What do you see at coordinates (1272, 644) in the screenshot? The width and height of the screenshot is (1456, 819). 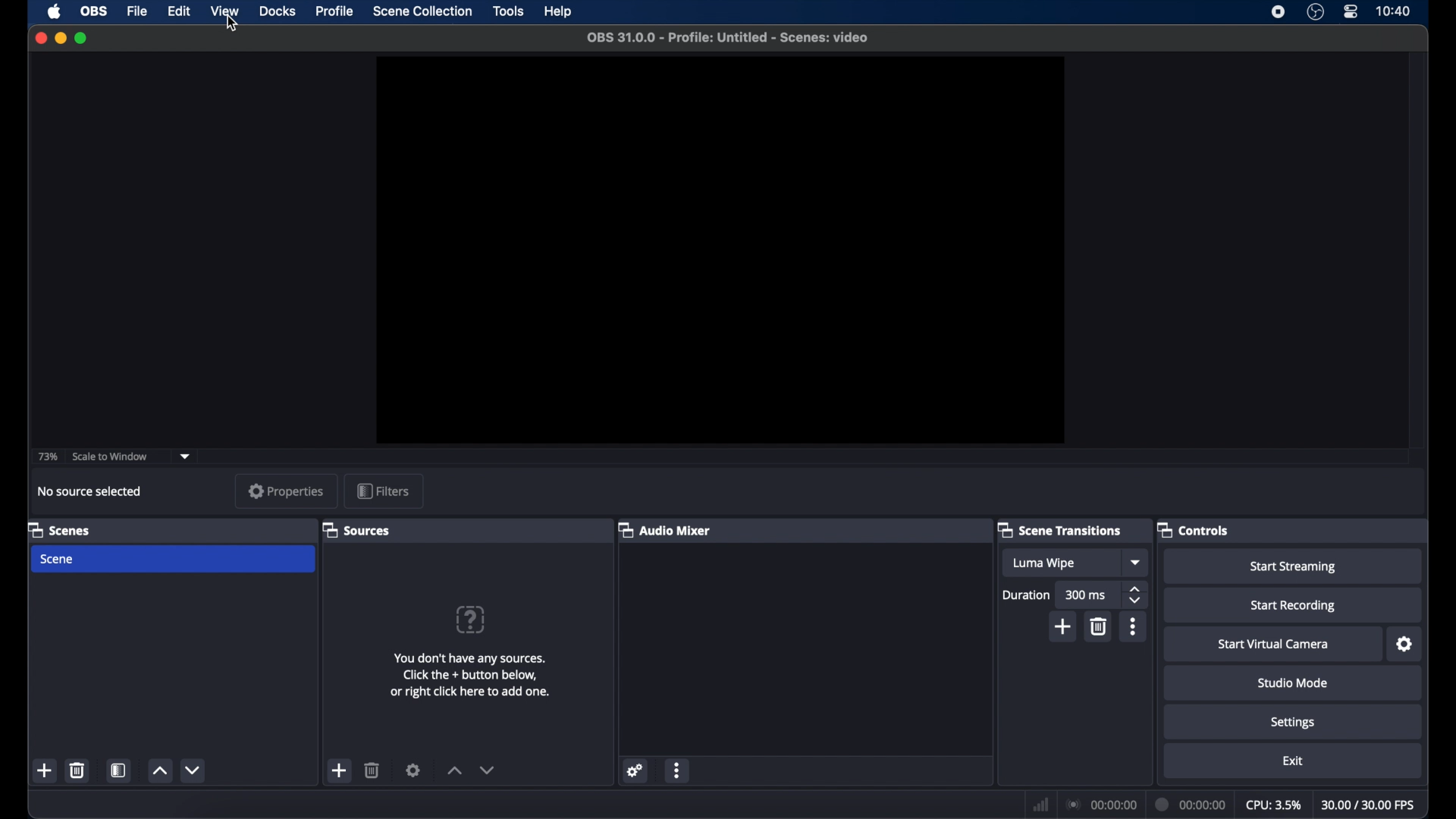 I see `start virtual camera` at bounding box center [1272, 644].